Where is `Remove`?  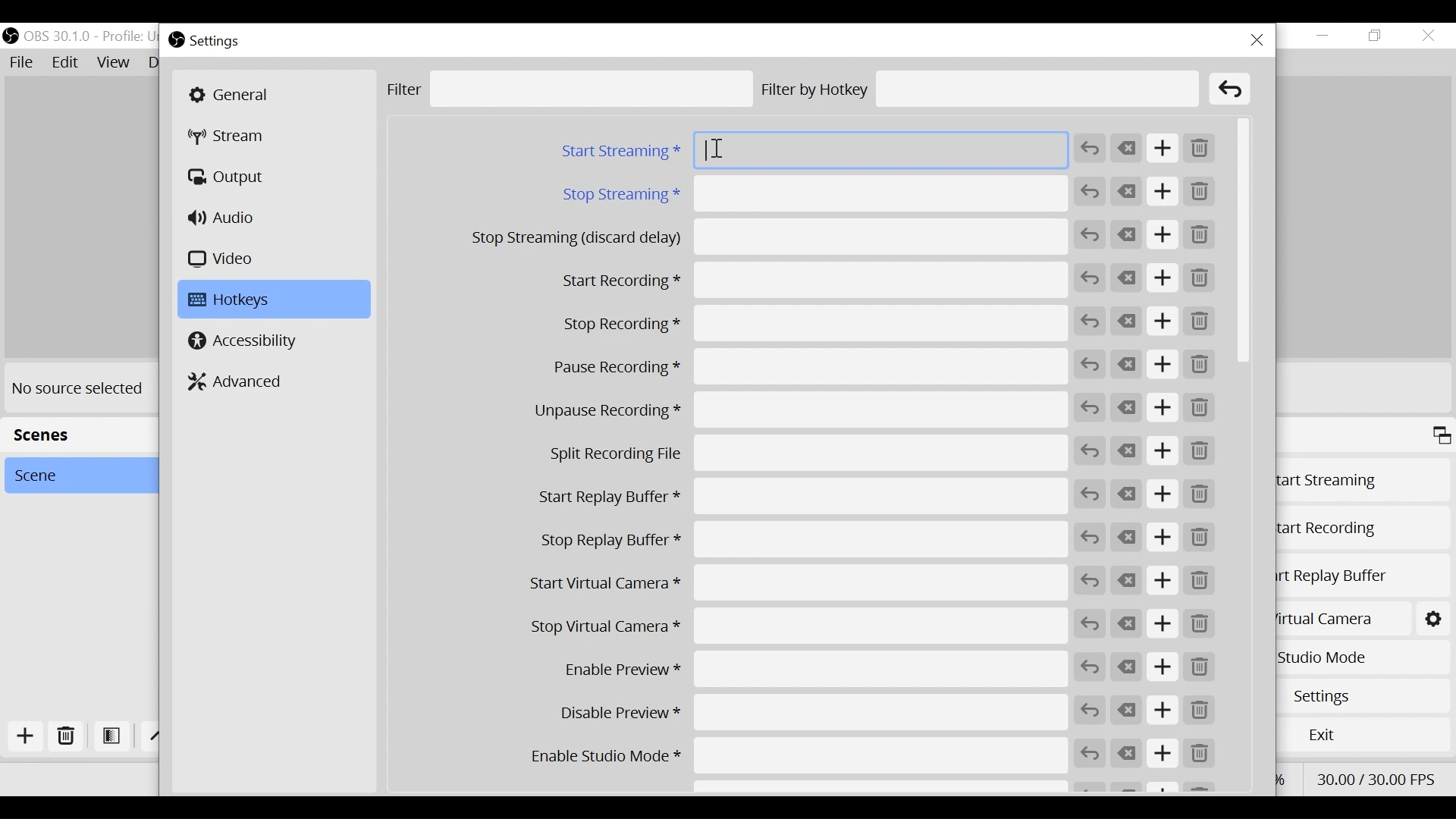 Remove is located at coordinates (1200, 367).